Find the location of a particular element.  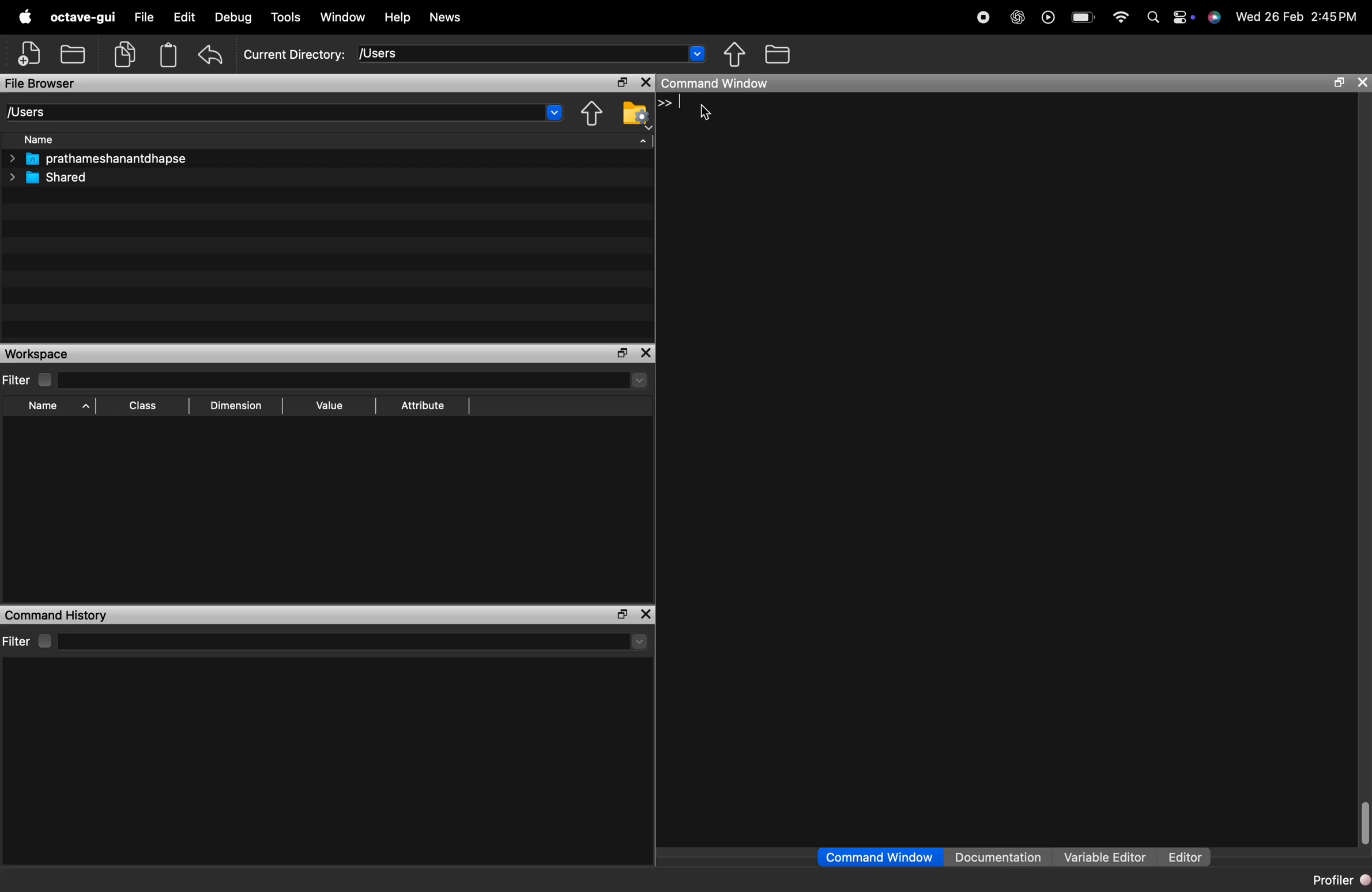

settings is located at coordinates (634, 119).